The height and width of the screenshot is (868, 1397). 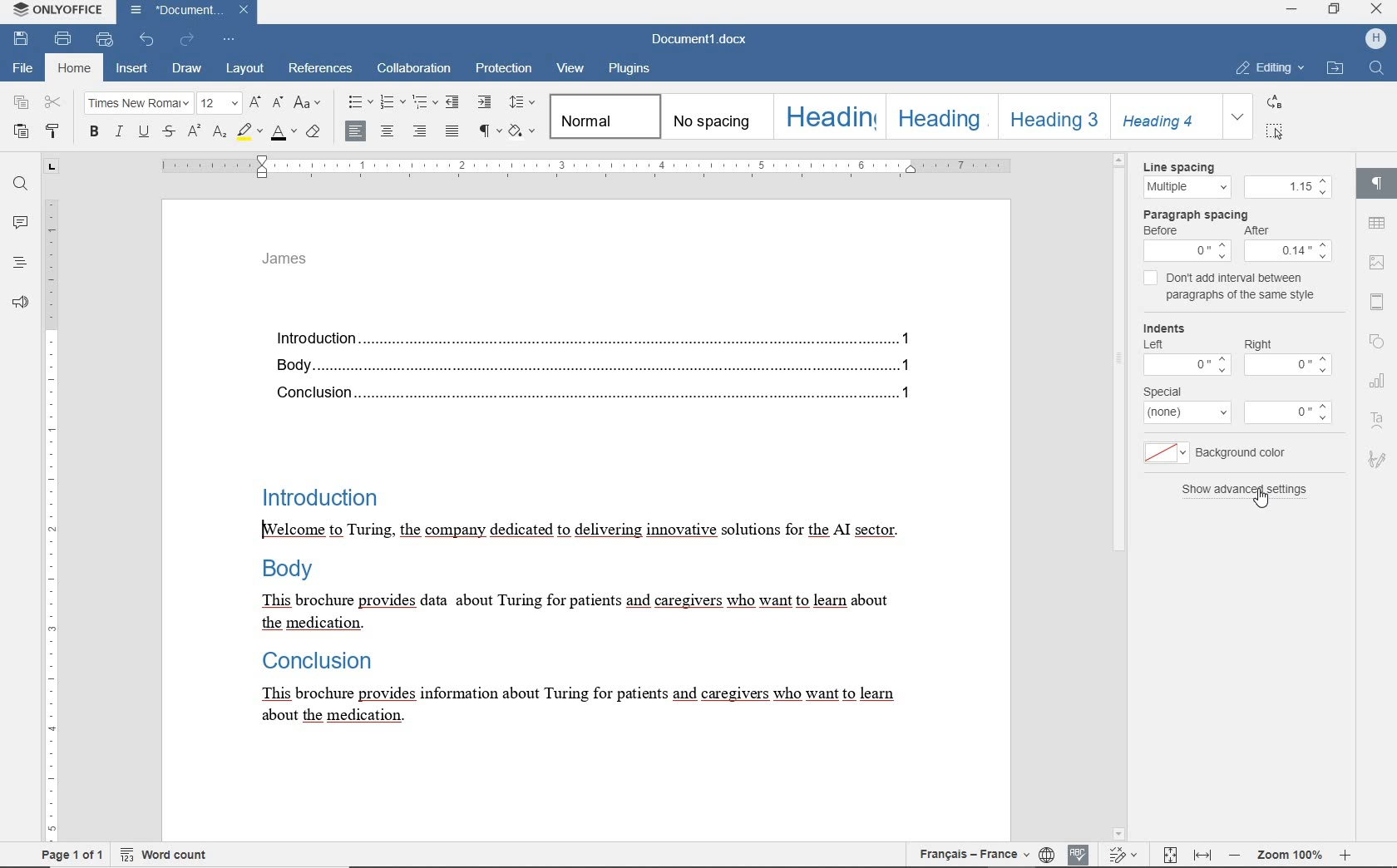 I want to click on customize quick access toolbar, so click(x=230, y=40).